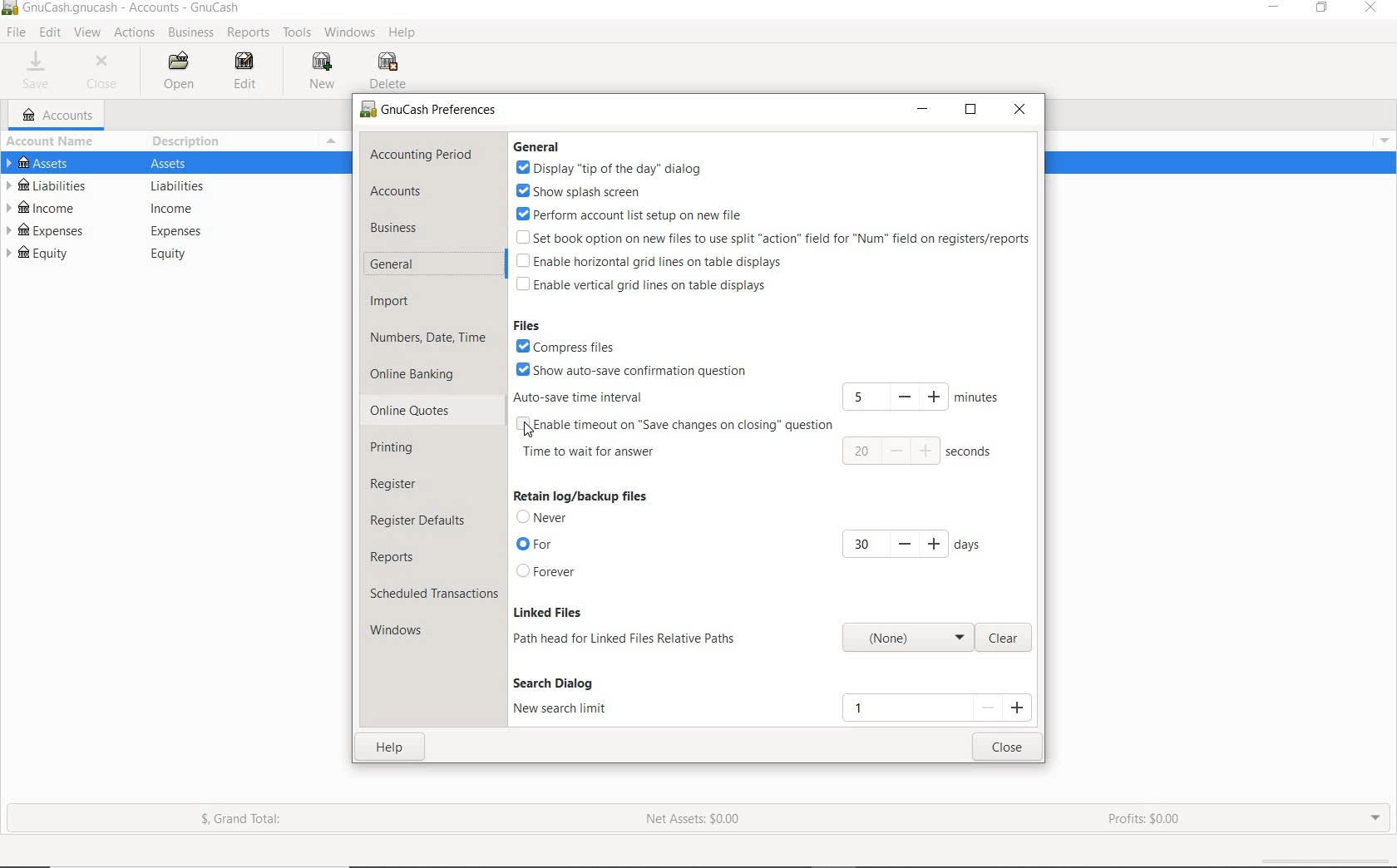  What do you see at coordinates (577, 347) in the screenshot?
I see `compress files` at bounding box center [577, 347].